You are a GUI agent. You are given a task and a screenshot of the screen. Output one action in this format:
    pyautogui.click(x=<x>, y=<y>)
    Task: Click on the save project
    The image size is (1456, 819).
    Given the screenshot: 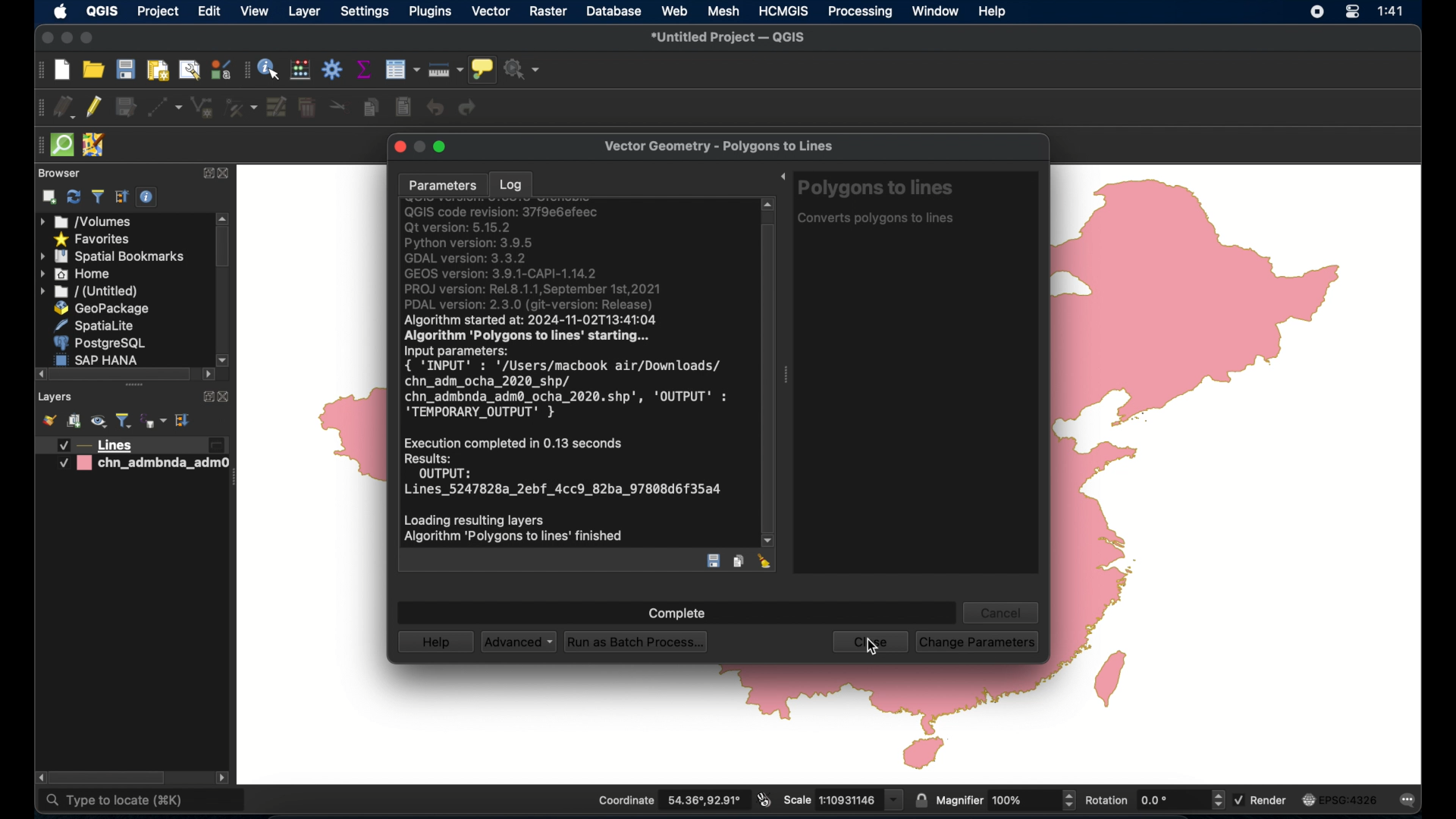 What is the action you would take?
    pyautogui.click(x=125, y=69)
    